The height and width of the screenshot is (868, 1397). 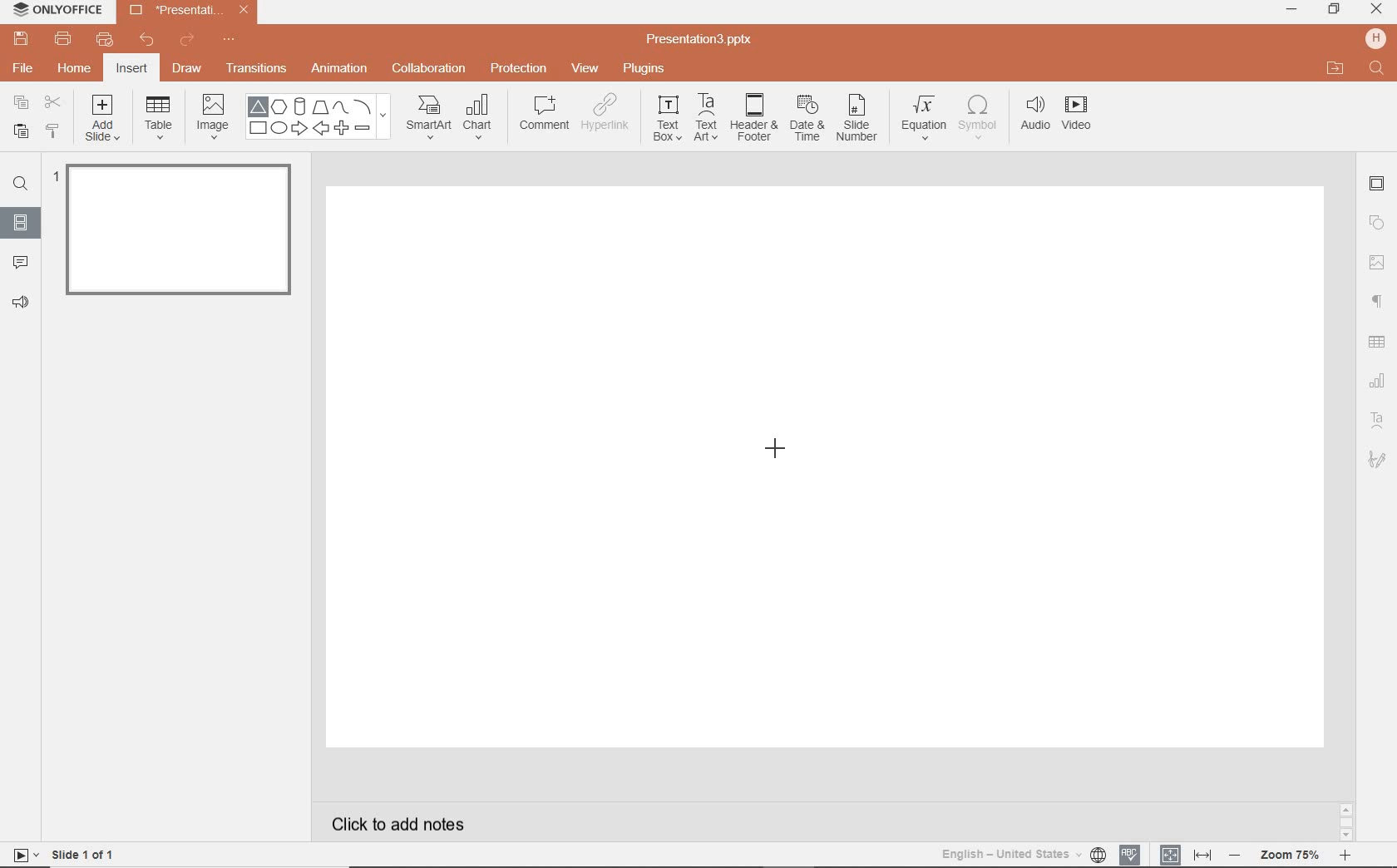 I want to click on SHAPES, so click(x=318, y=117).